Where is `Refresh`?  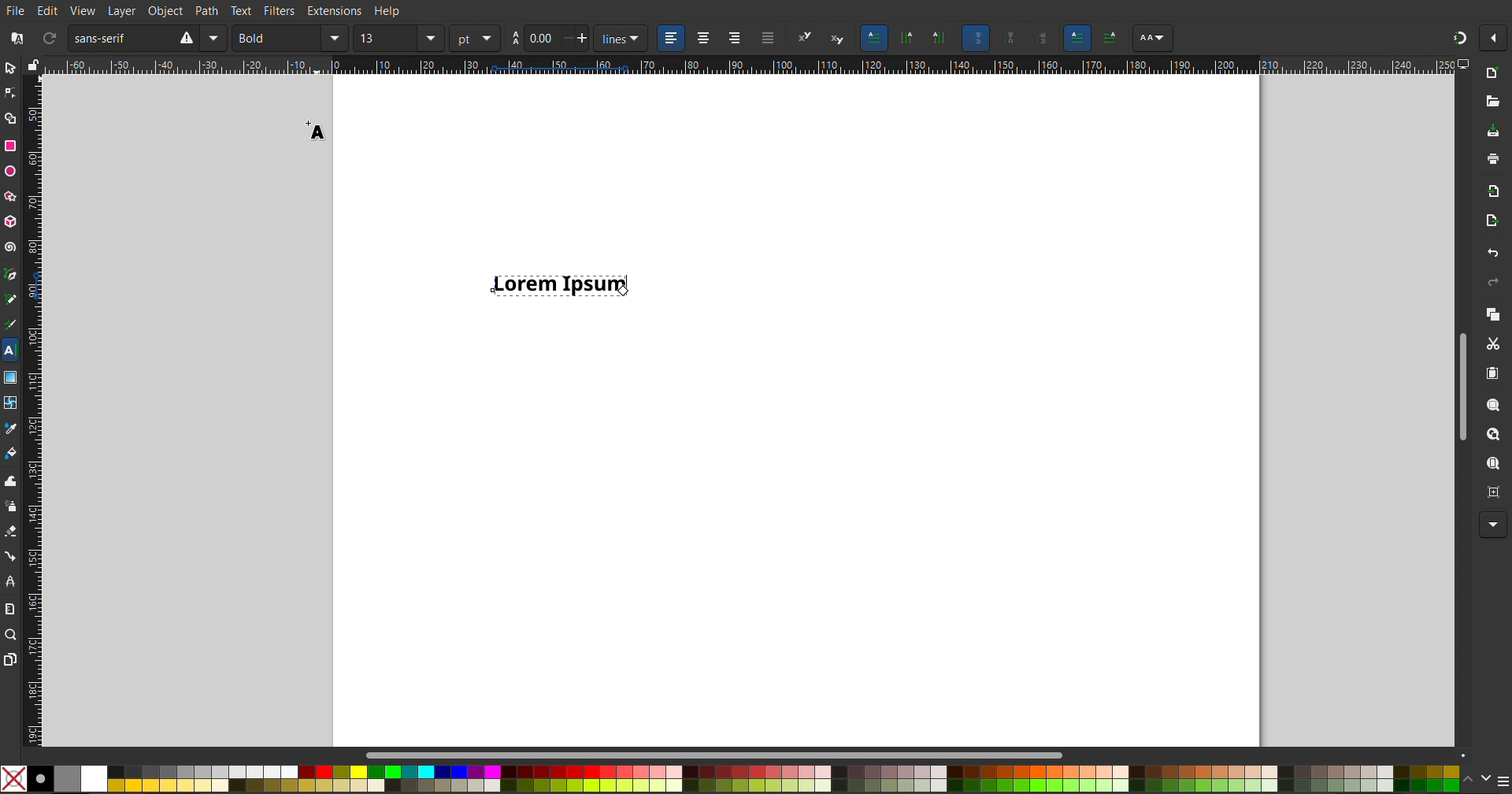
Refresh is located at coordinates (49, 39).